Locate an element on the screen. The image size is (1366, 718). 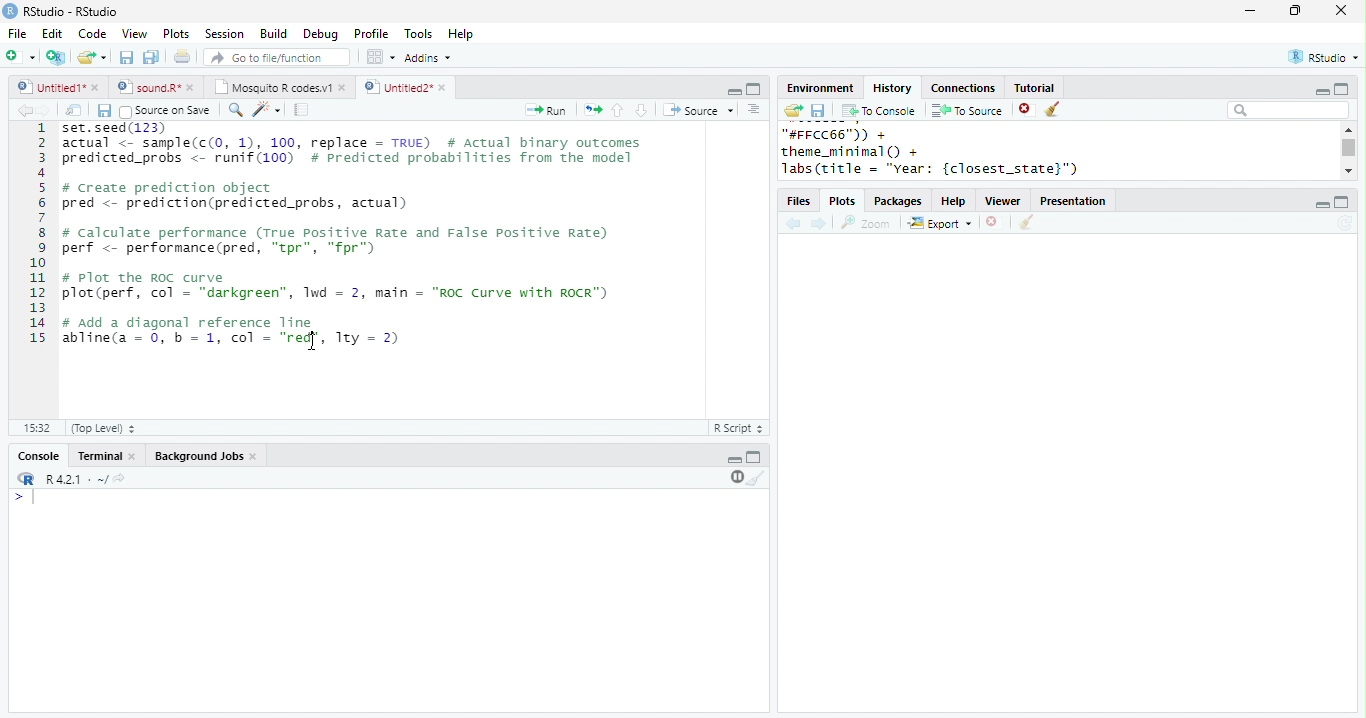
Untitled 2 is located at coordinates (397, 86).